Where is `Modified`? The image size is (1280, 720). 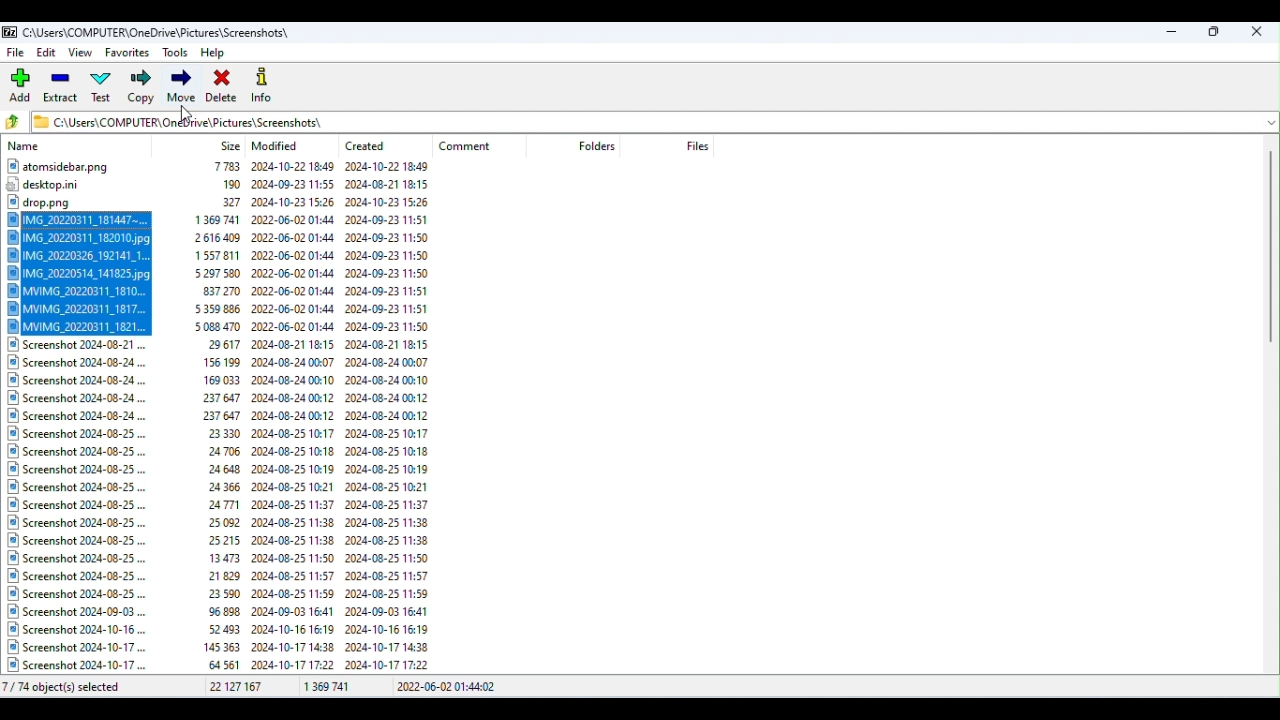 Modified is located at coordinates (279, 146).